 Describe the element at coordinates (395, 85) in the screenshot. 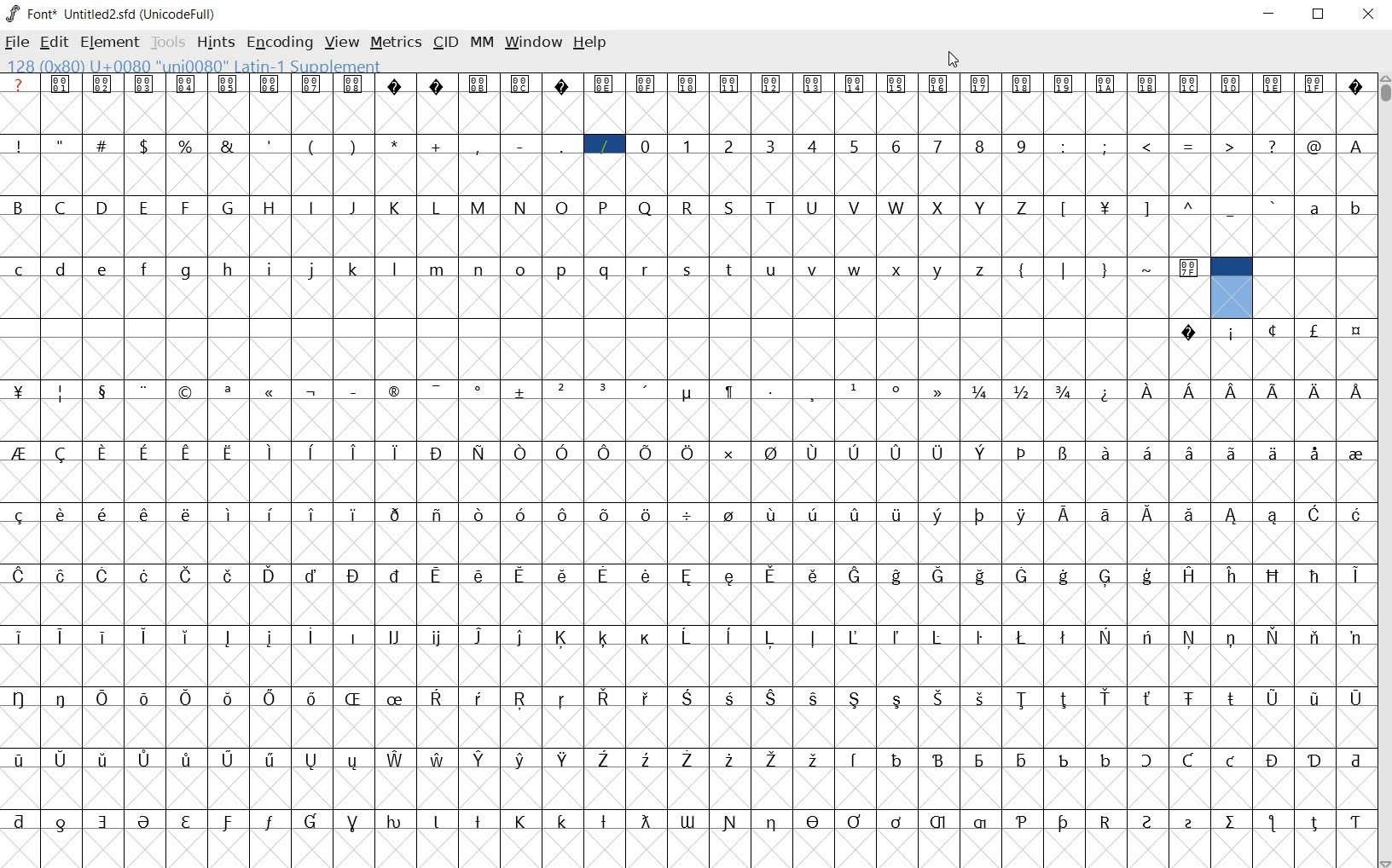

I see `Symbol` at that location.